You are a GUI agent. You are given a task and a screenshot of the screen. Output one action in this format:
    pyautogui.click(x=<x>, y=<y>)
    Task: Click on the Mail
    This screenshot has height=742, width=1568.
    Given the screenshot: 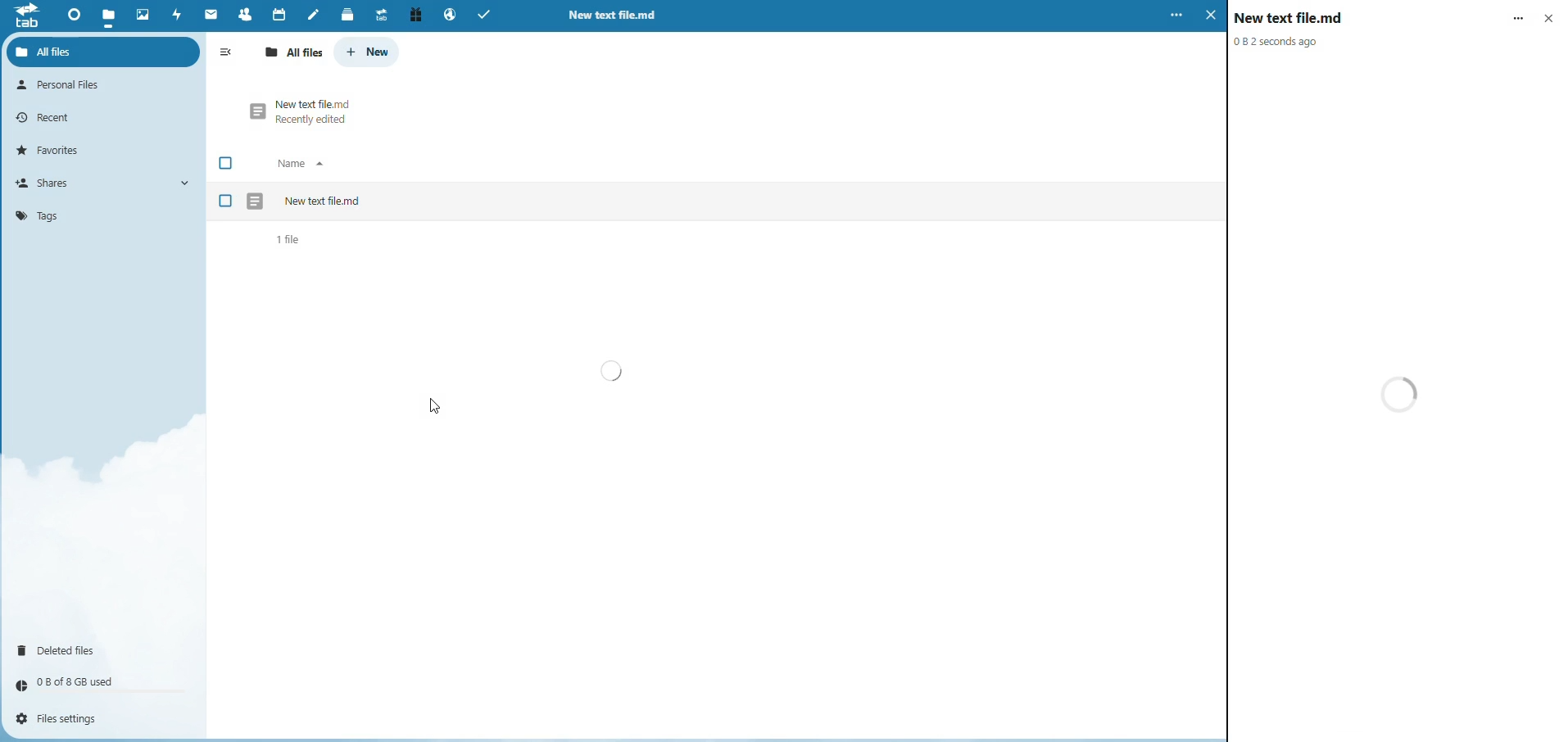 What is the action you would take?
    pyautogui.click(x=211, y=16)
    